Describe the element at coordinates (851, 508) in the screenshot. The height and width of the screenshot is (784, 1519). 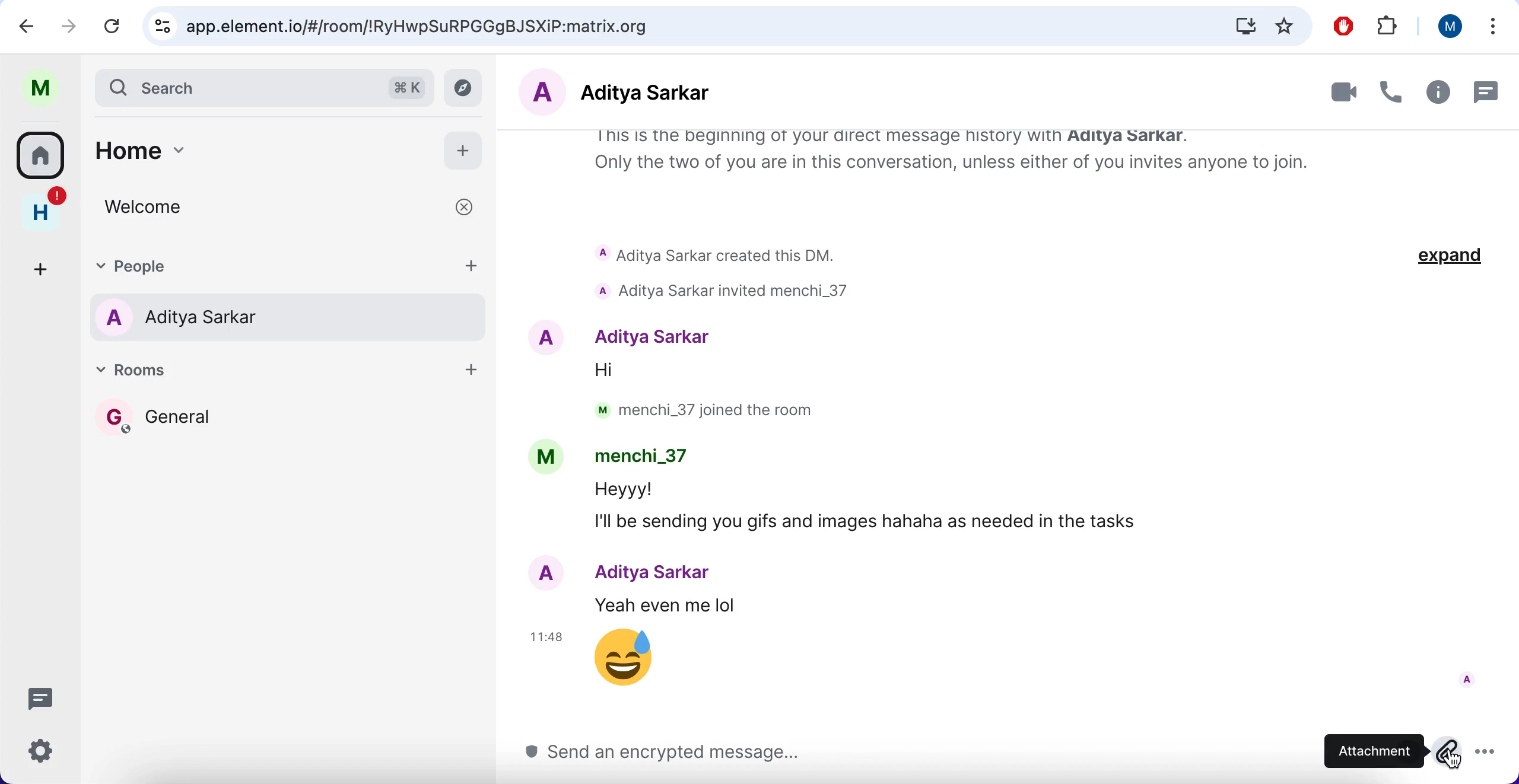
I see `Heyyy!
I'll be sending you gifs and images hahaha as needed in the tasks` at that location.